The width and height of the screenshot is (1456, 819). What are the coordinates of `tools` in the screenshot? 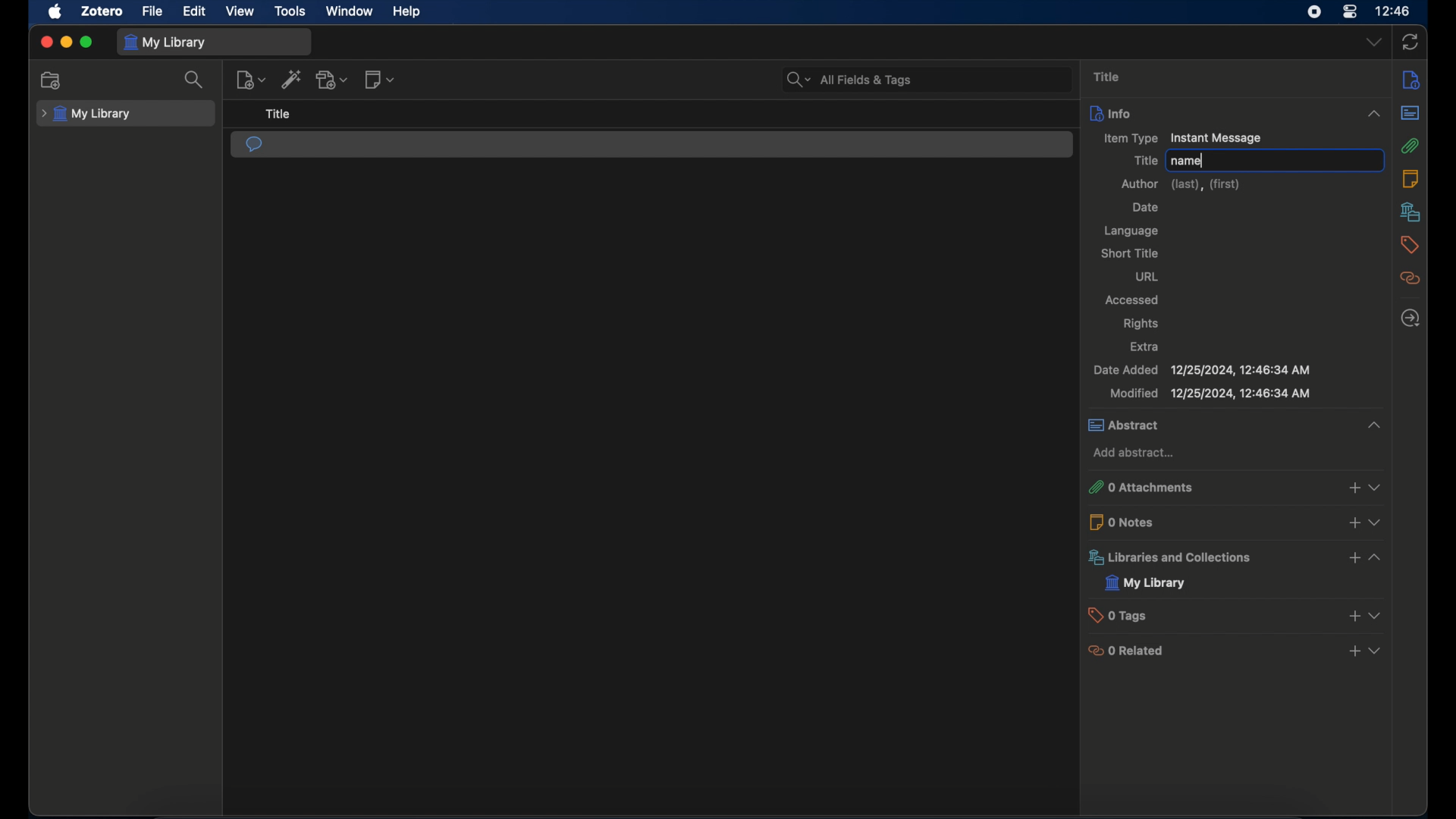 It's located at (290, 11).